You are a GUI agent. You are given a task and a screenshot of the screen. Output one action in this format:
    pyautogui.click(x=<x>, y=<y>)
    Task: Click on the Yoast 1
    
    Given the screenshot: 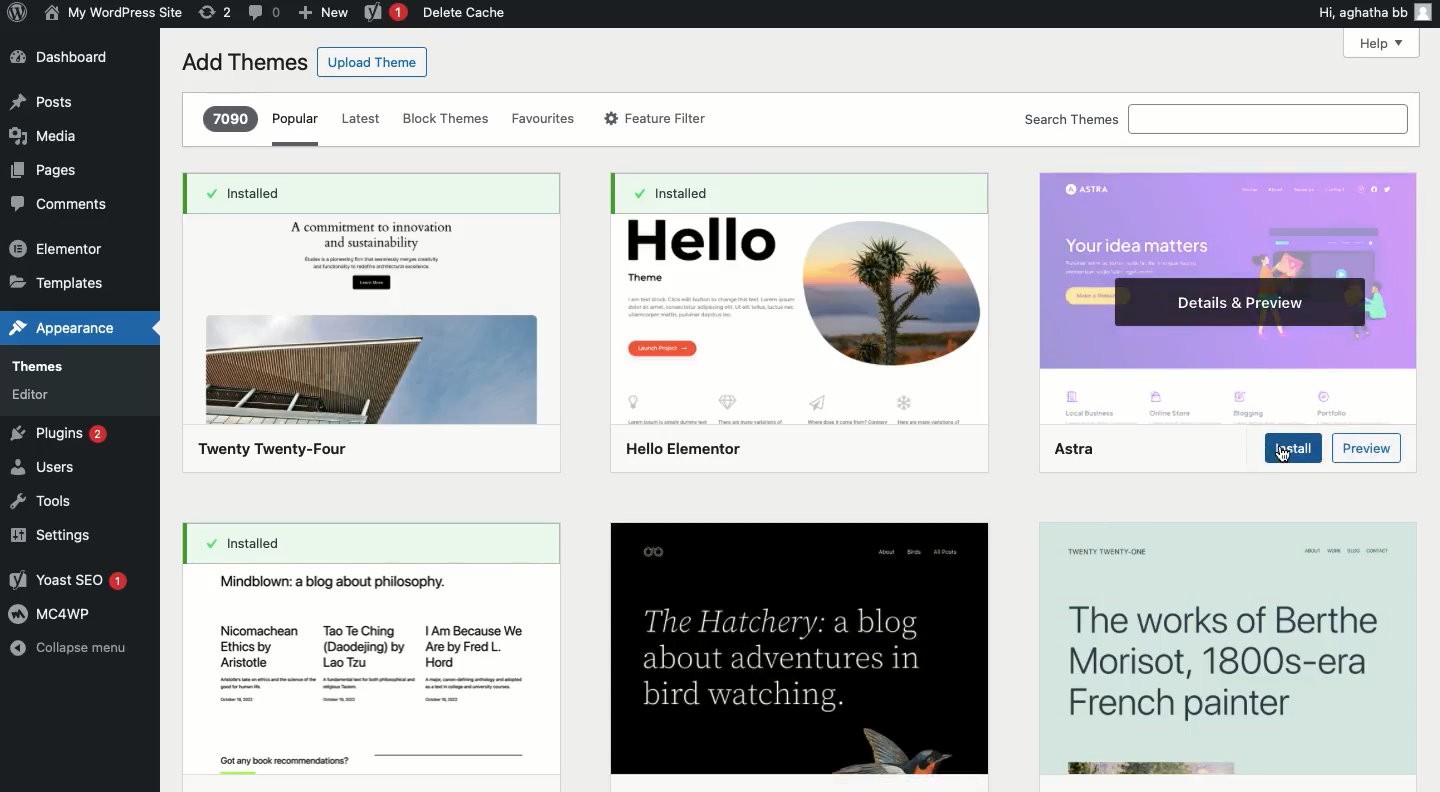 What is the action you would take?
    pyautogui.click(x=385, y=13)
    